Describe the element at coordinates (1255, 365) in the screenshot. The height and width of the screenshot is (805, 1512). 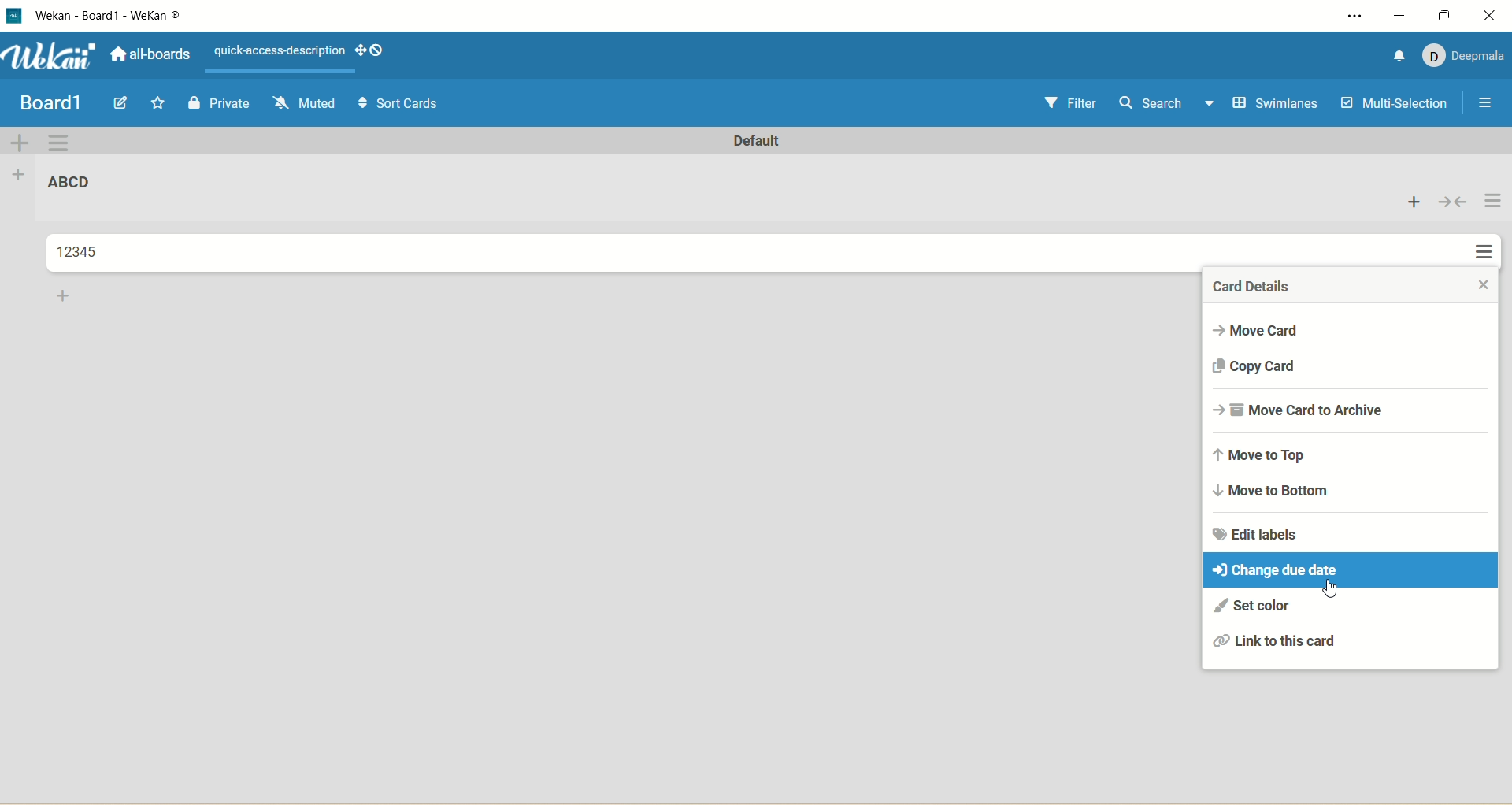
I see `copy card` at that location.